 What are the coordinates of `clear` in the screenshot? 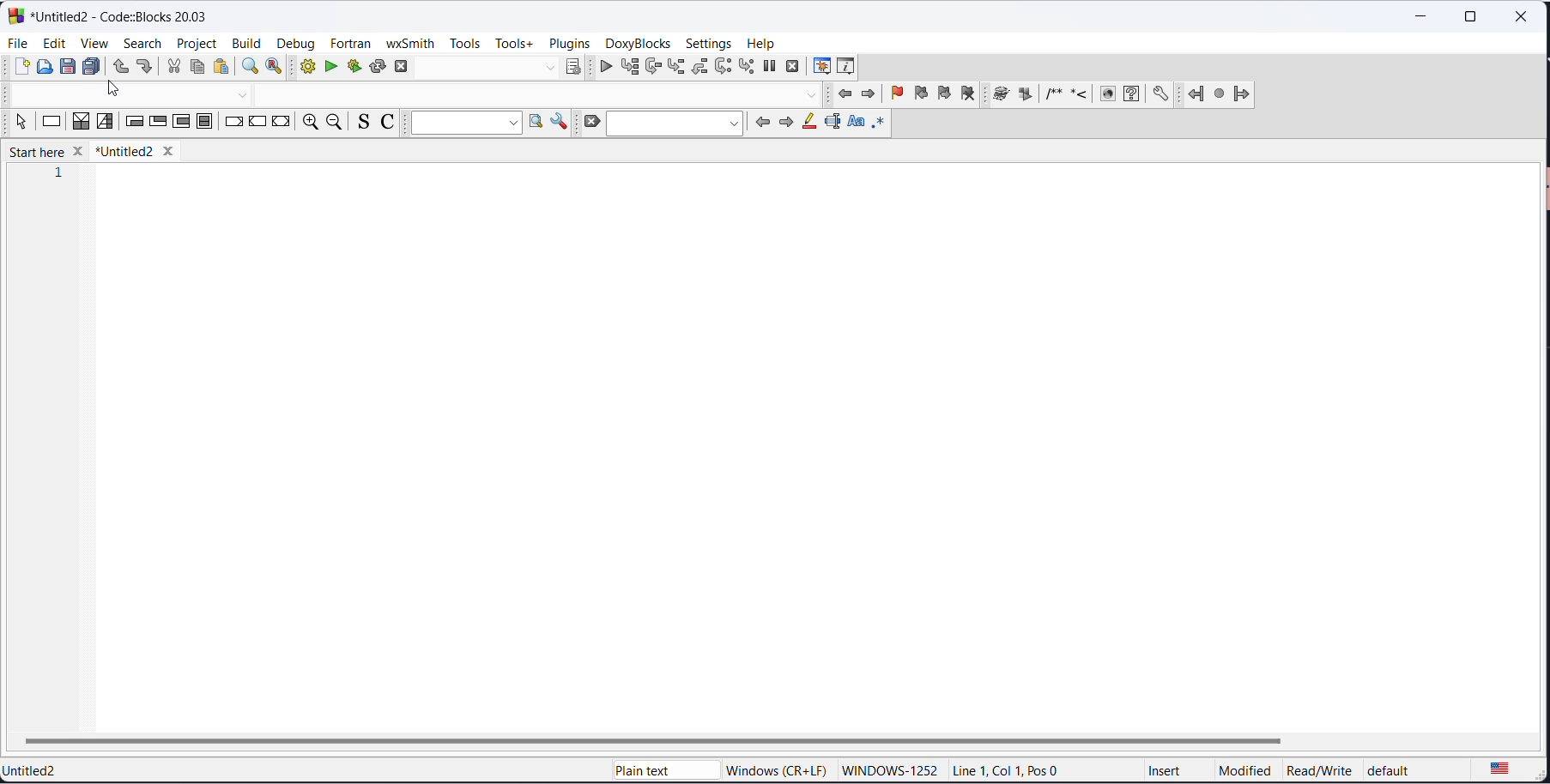 It's located at (590, 124).